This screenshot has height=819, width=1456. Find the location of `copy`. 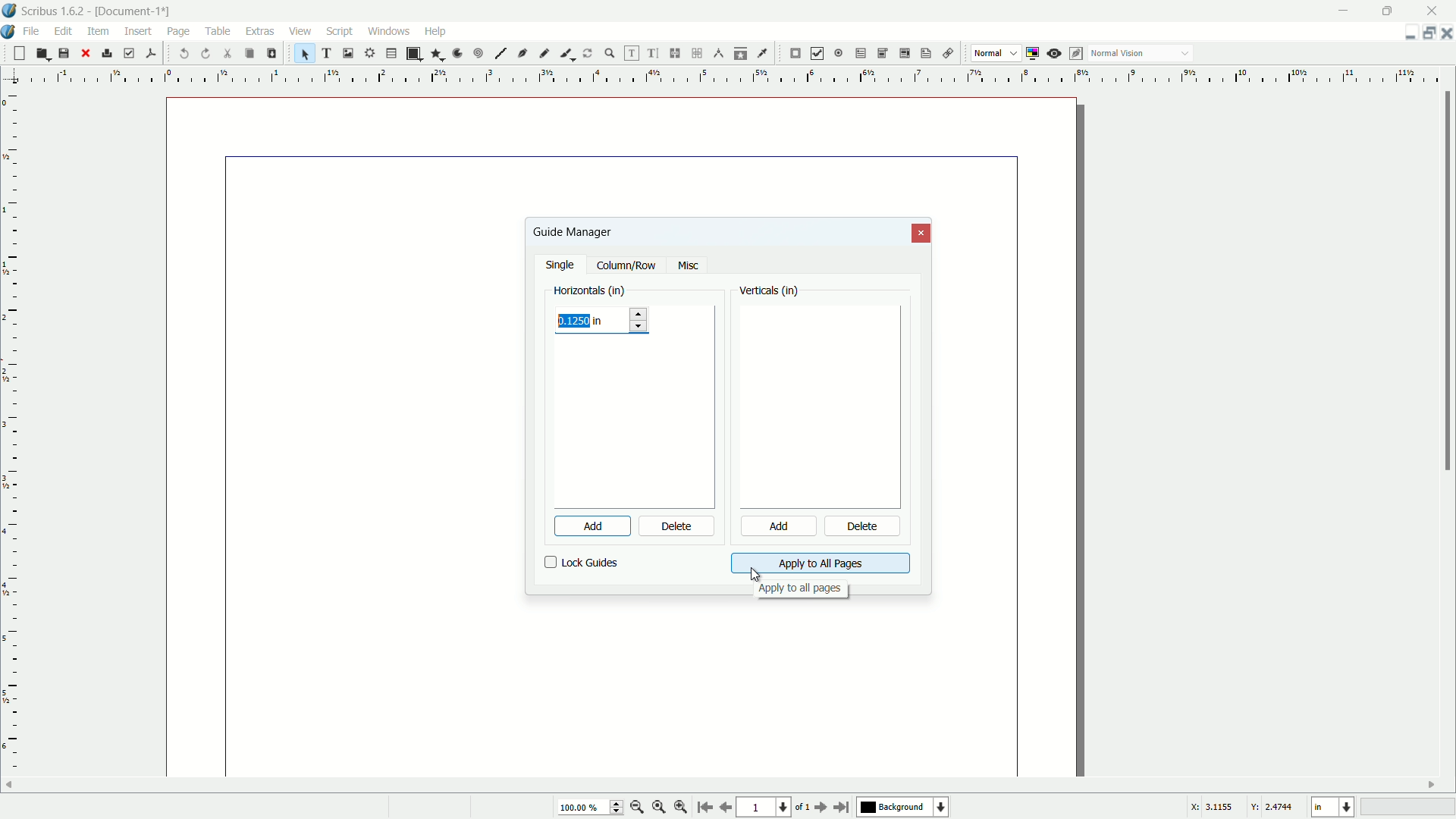

copy is located at coordinates (249, 54).